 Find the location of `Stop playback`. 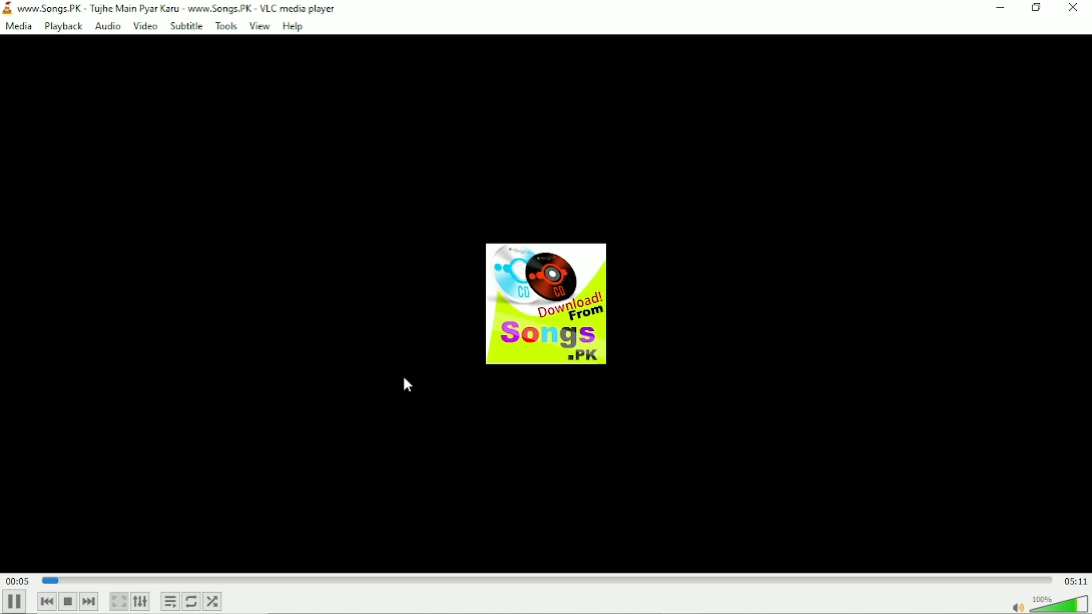

Stop playback is located at coordinates (68, 601).